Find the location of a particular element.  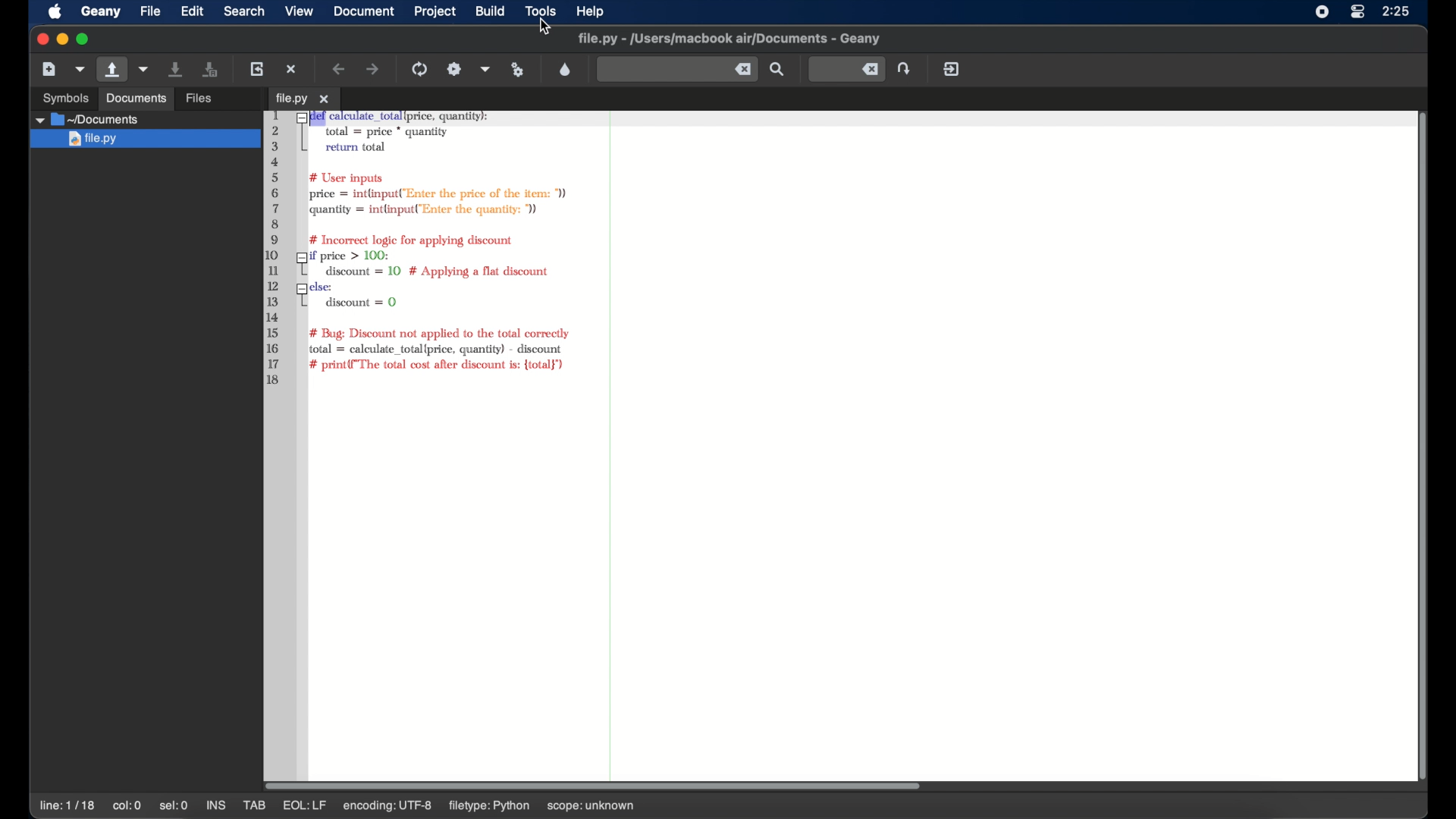

geany is located at coordinates (737, 38).